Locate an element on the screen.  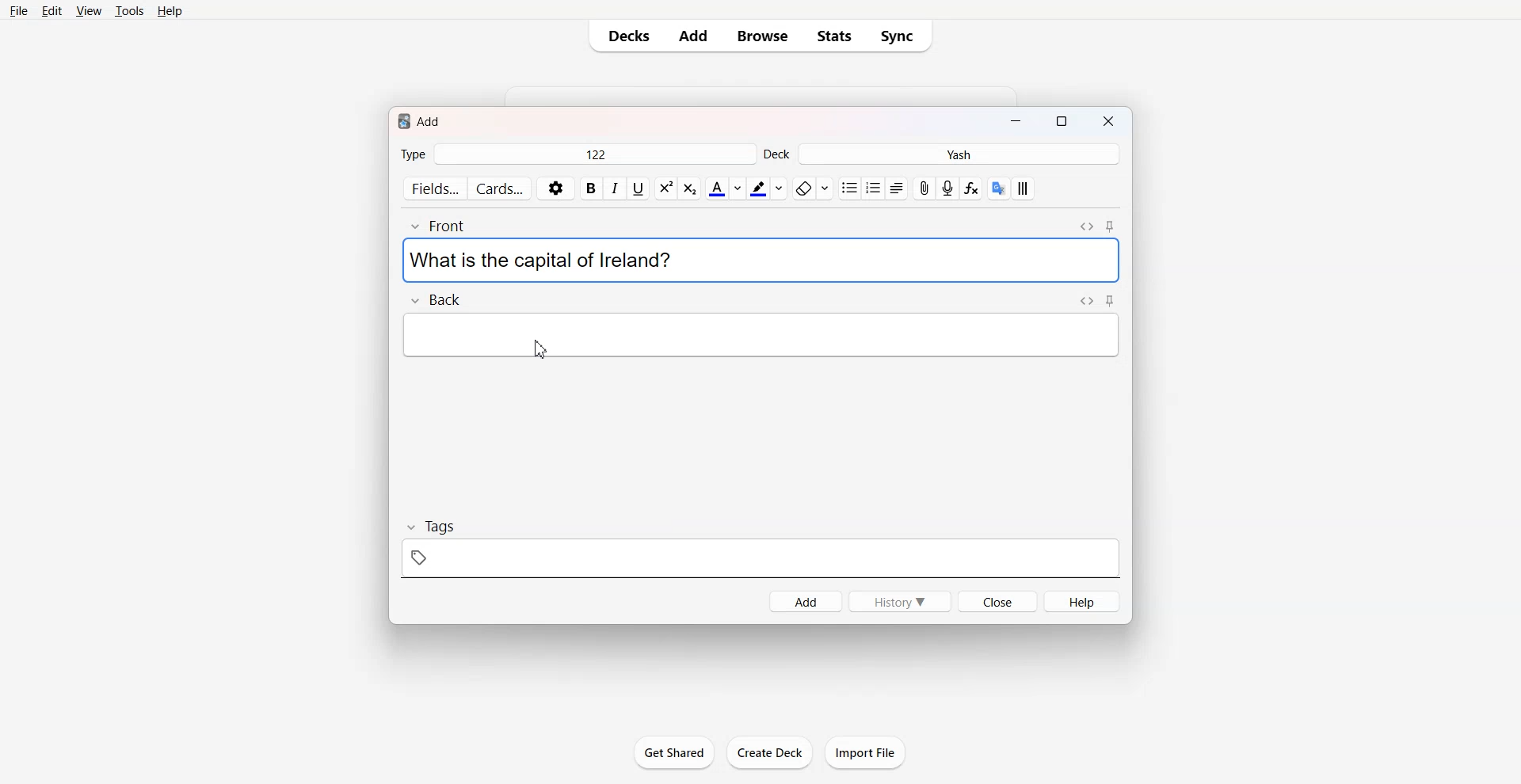
View is located at coordinates (89, 12).